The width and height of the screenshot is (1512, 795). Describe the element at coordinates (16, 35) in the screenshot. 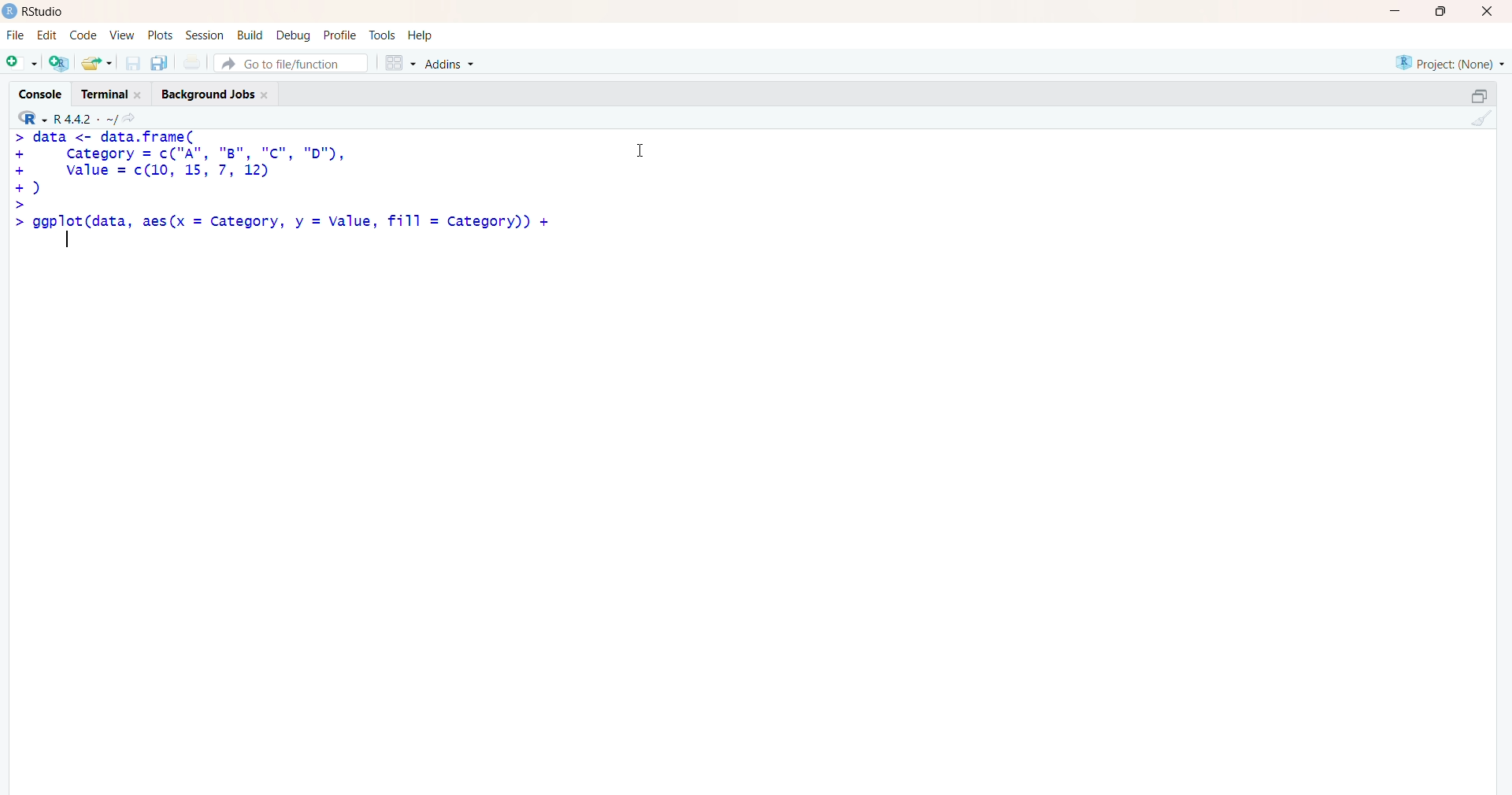

I see `File` at that location.